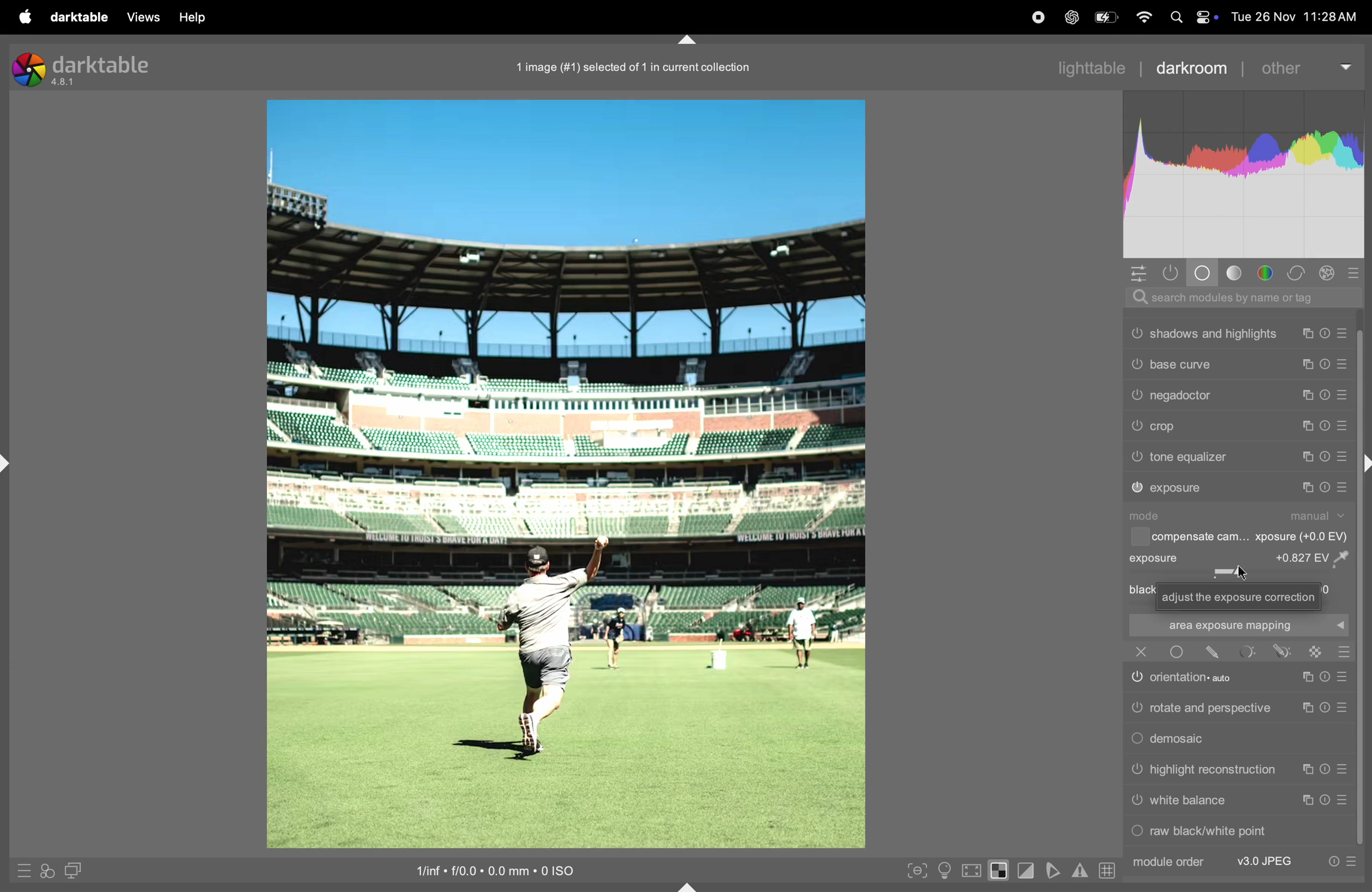 The width and height of the screenshot is (1372, 892). What do you see at coordinates (1167, 862) in the screenshot?
I see `module order` at bounding box center [1167, 862].